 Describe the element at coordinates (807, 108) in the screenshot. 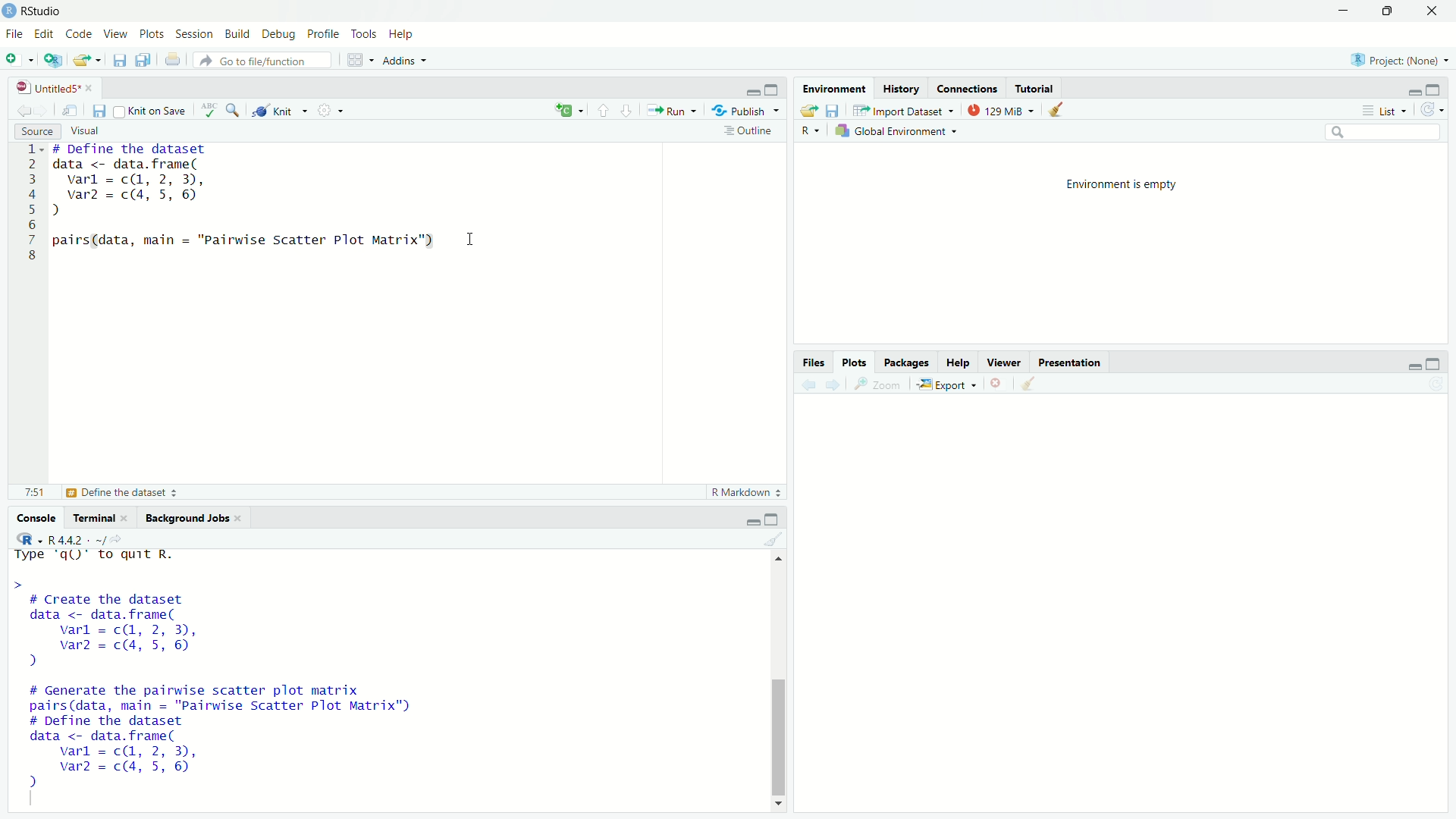

I see `Load workspace` at that location.